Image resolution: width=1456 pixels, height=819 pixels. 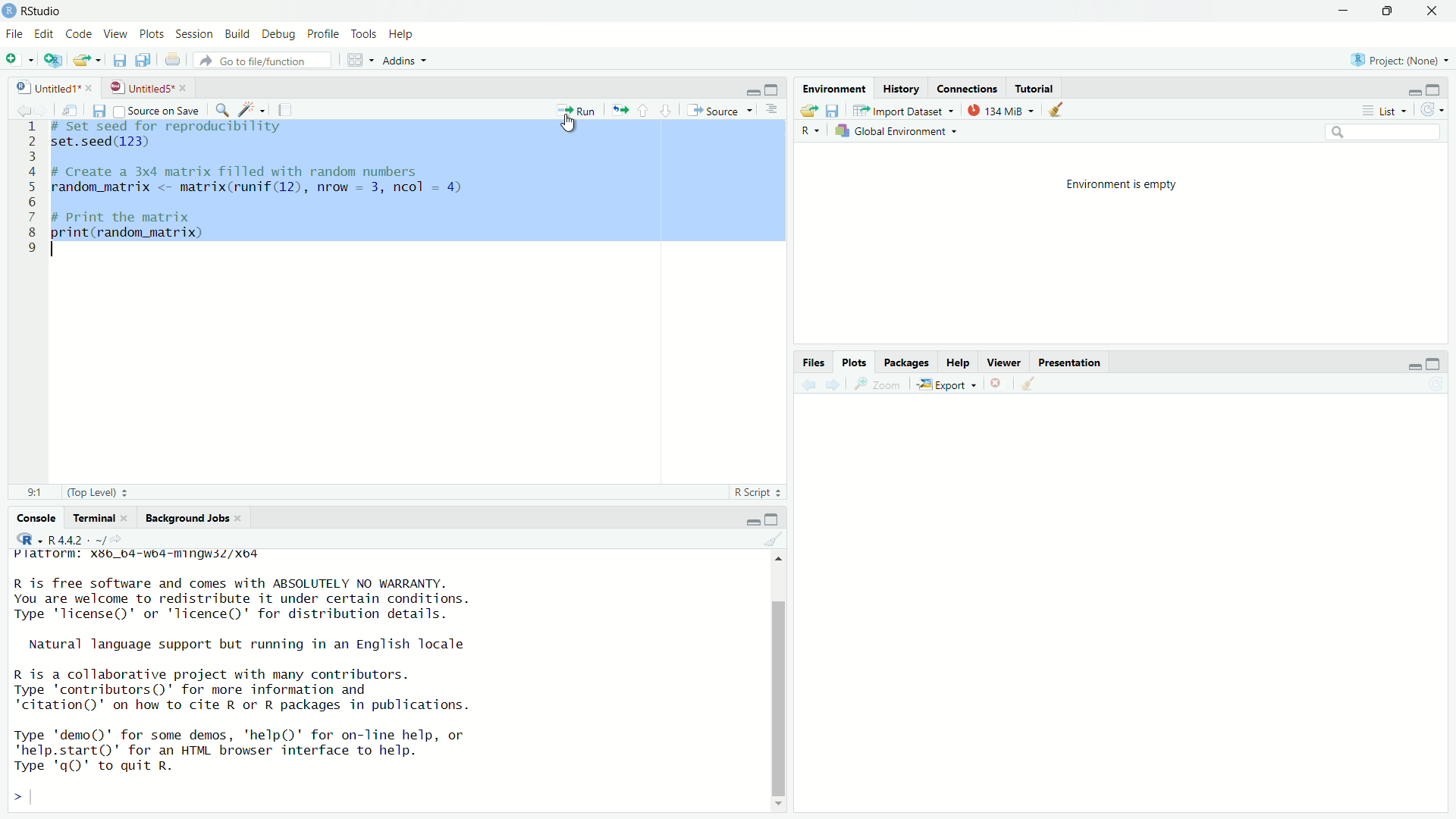 What do you see at coordinates (1410, 91) in the screenshot?
I see `minimise` at bounding box center [1410, 91].